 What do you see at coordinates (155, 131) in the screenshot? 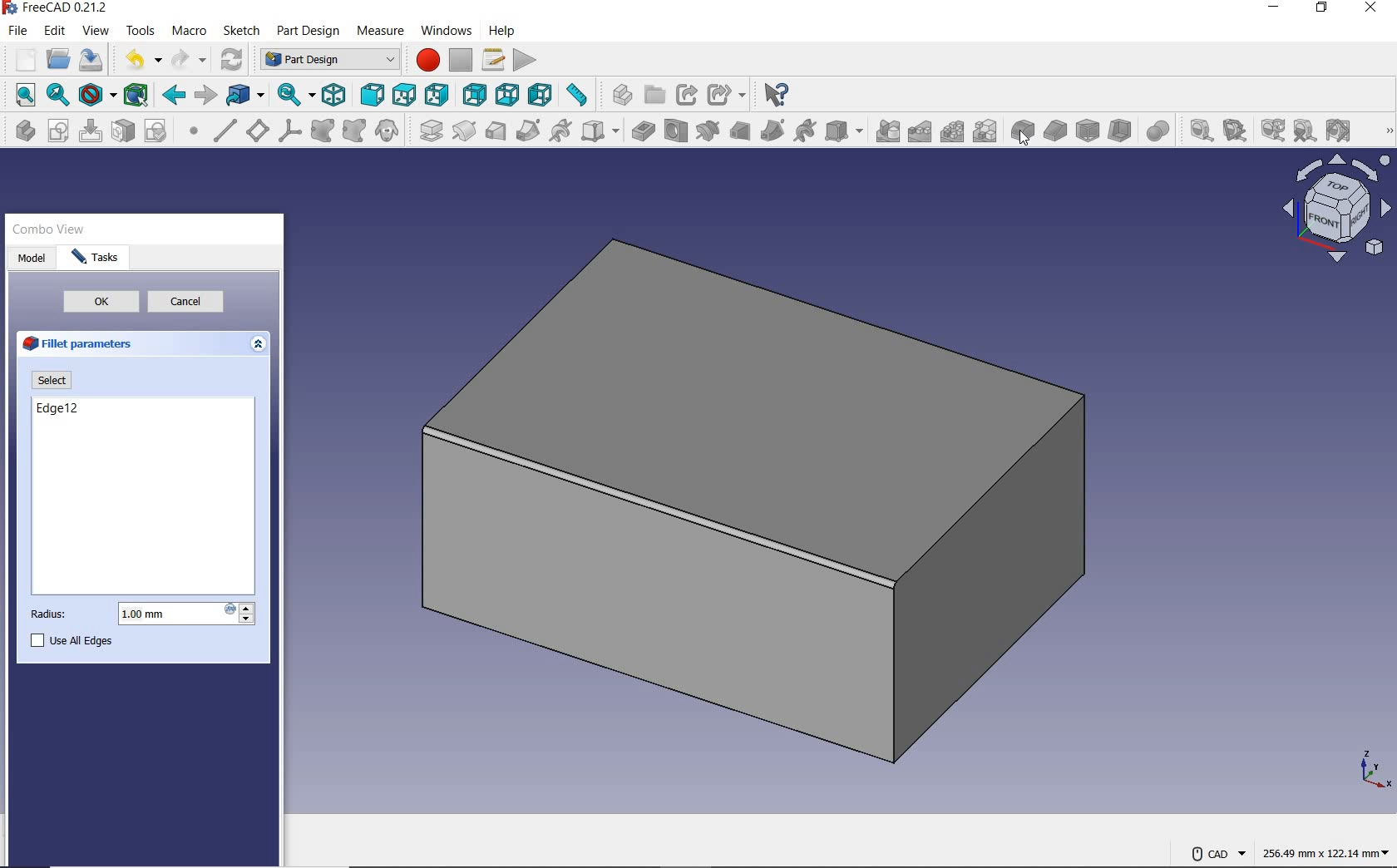
I see `validate sketch` at bounding box center [155, 131].